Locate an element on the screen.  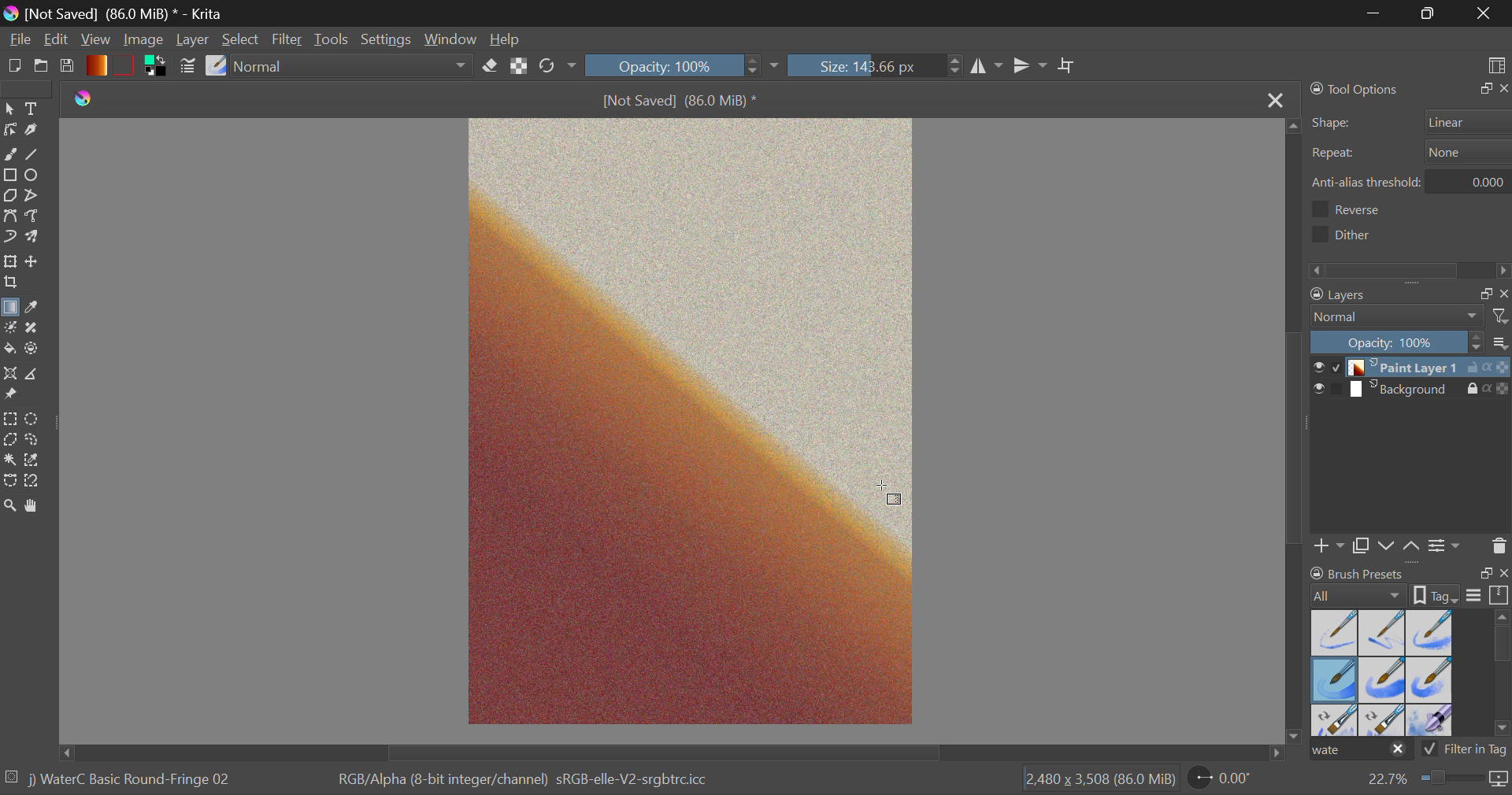
move up is located at coordinates (1288, 124).